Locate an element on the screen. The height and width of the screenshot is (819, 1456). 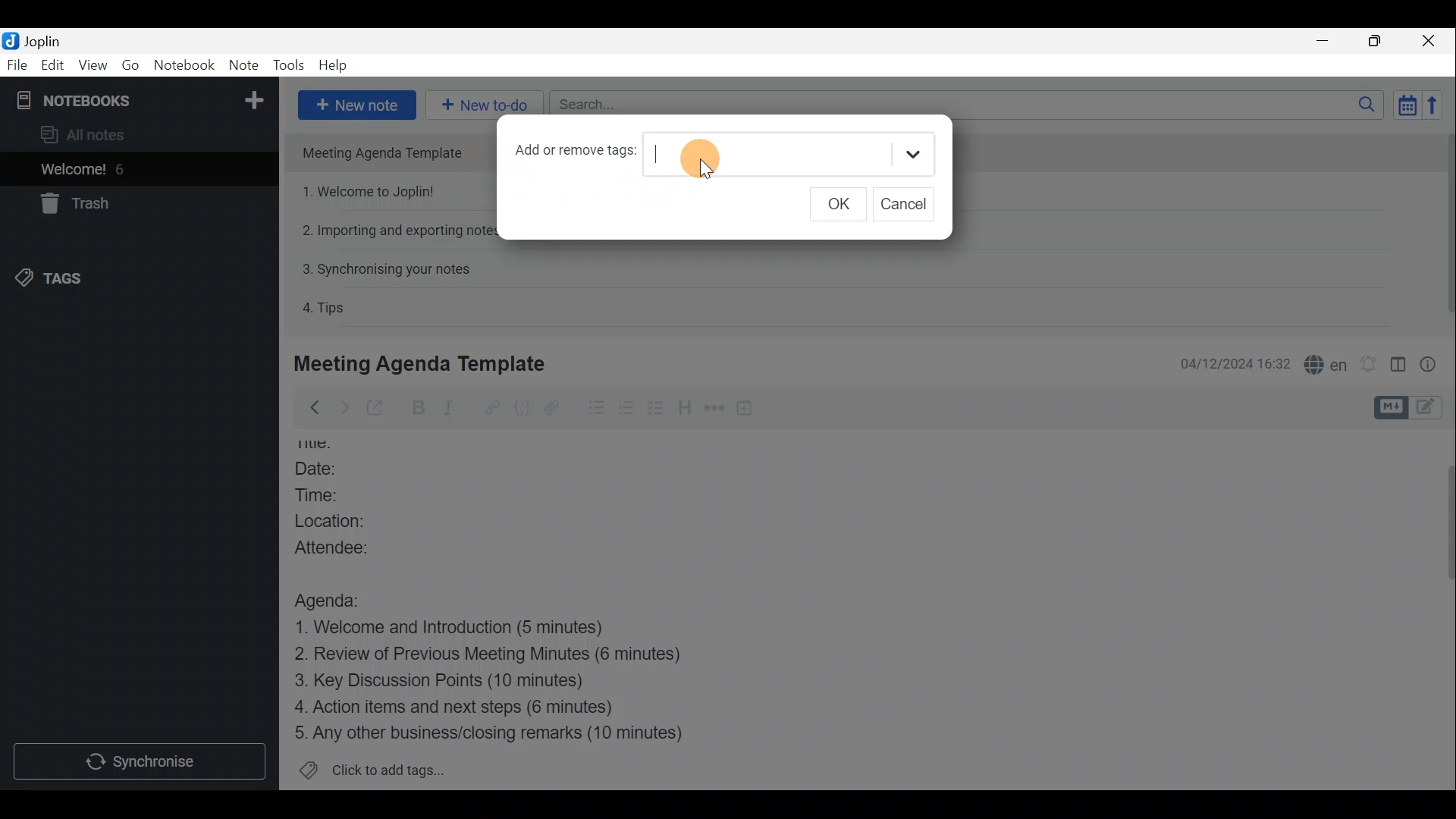
Toggle external editing is located at coordinates (379, 409).